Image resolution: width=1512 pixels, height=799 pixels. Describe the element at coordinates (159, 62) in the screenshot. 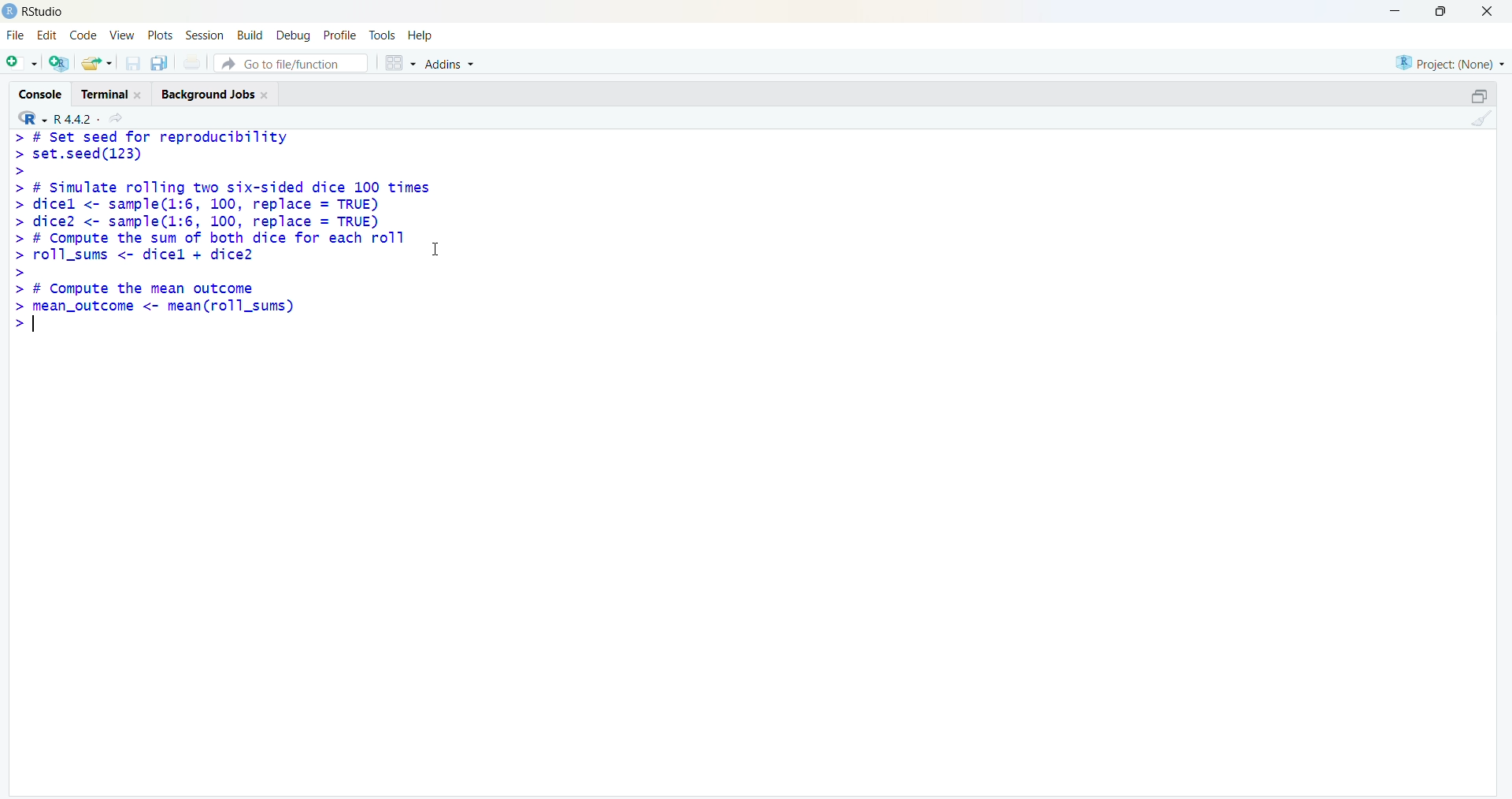

I see `copy` at that location.